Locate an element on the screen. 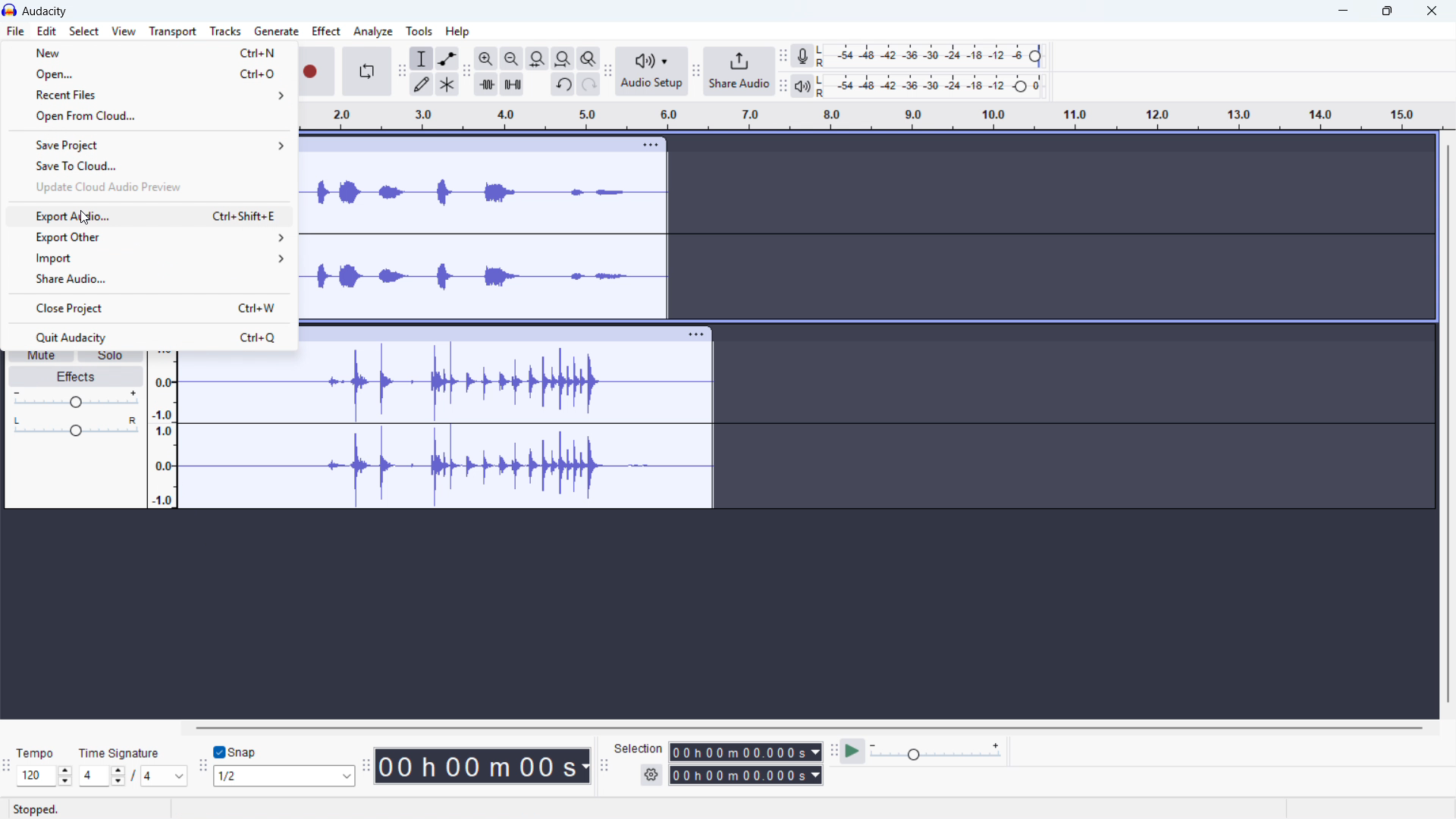 Image resolution: width=1456 pixels, height=819 pixels. Set time signature  is located at coordinates (134, 777).